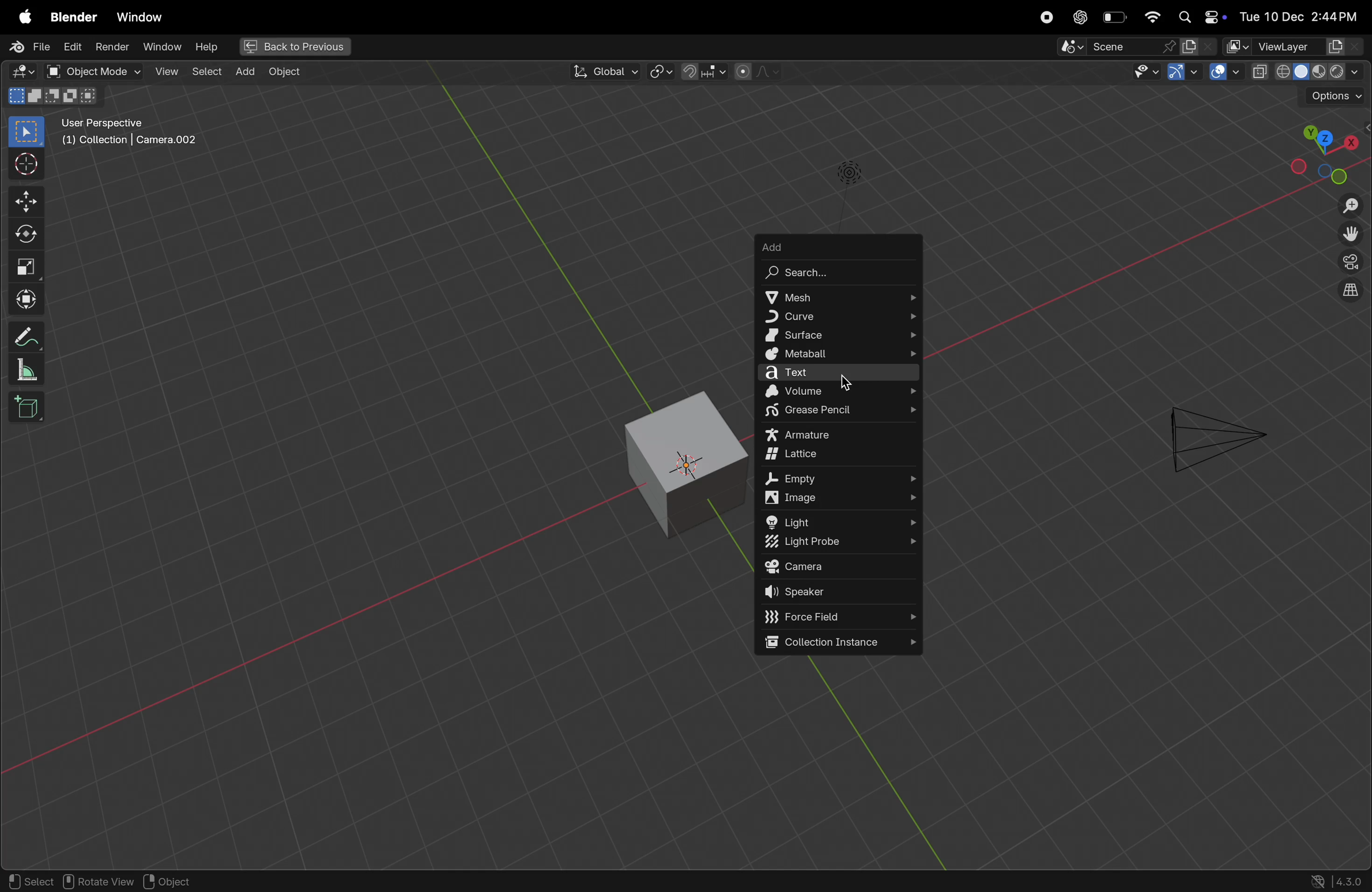 The width and height of the screenshot is (1372, 892). I want to click on 3D view, so click(684, 462).